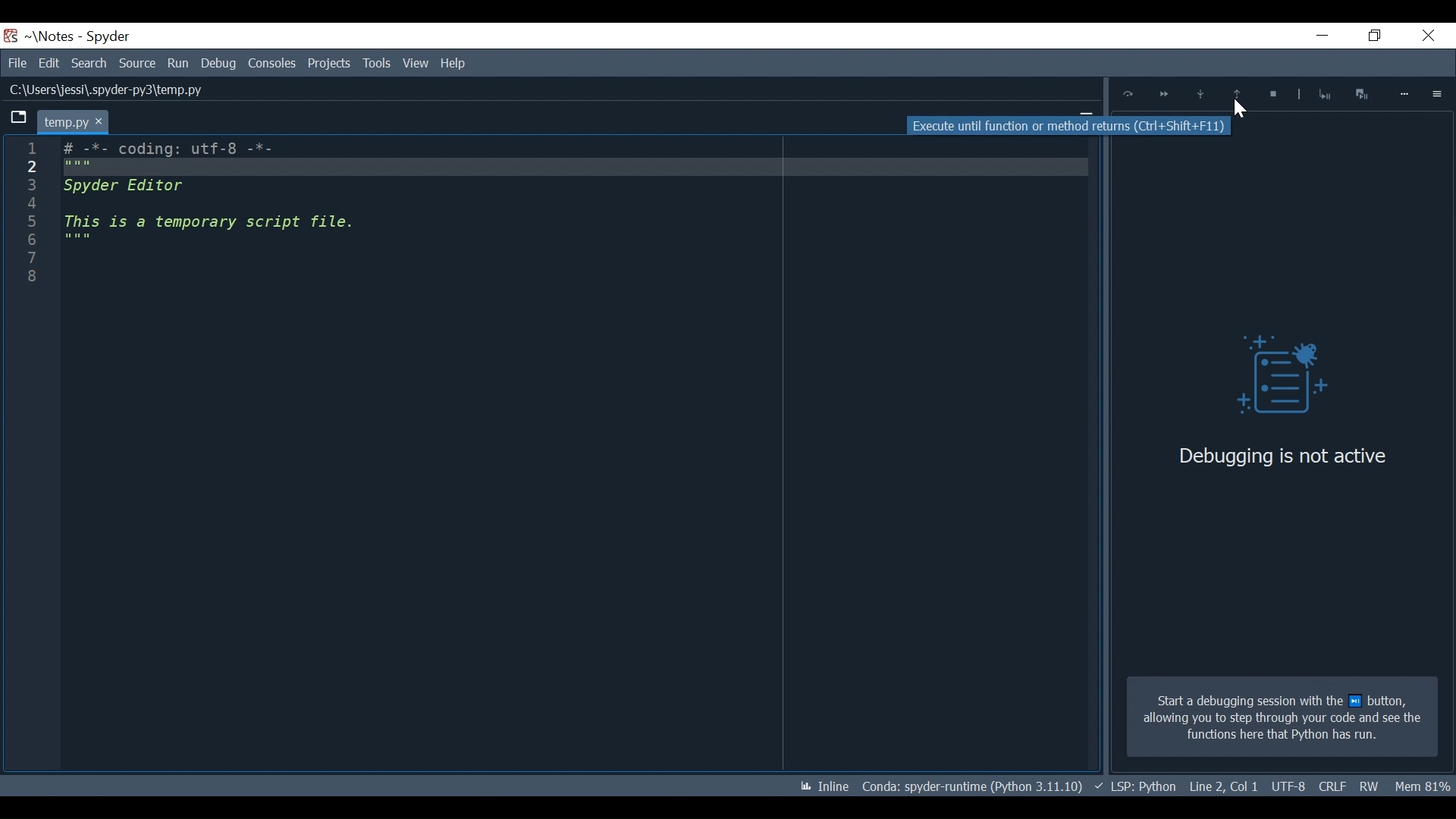  Describe the element at coordinates (103, 90) in the screenshot. I see `File Path` at that location.